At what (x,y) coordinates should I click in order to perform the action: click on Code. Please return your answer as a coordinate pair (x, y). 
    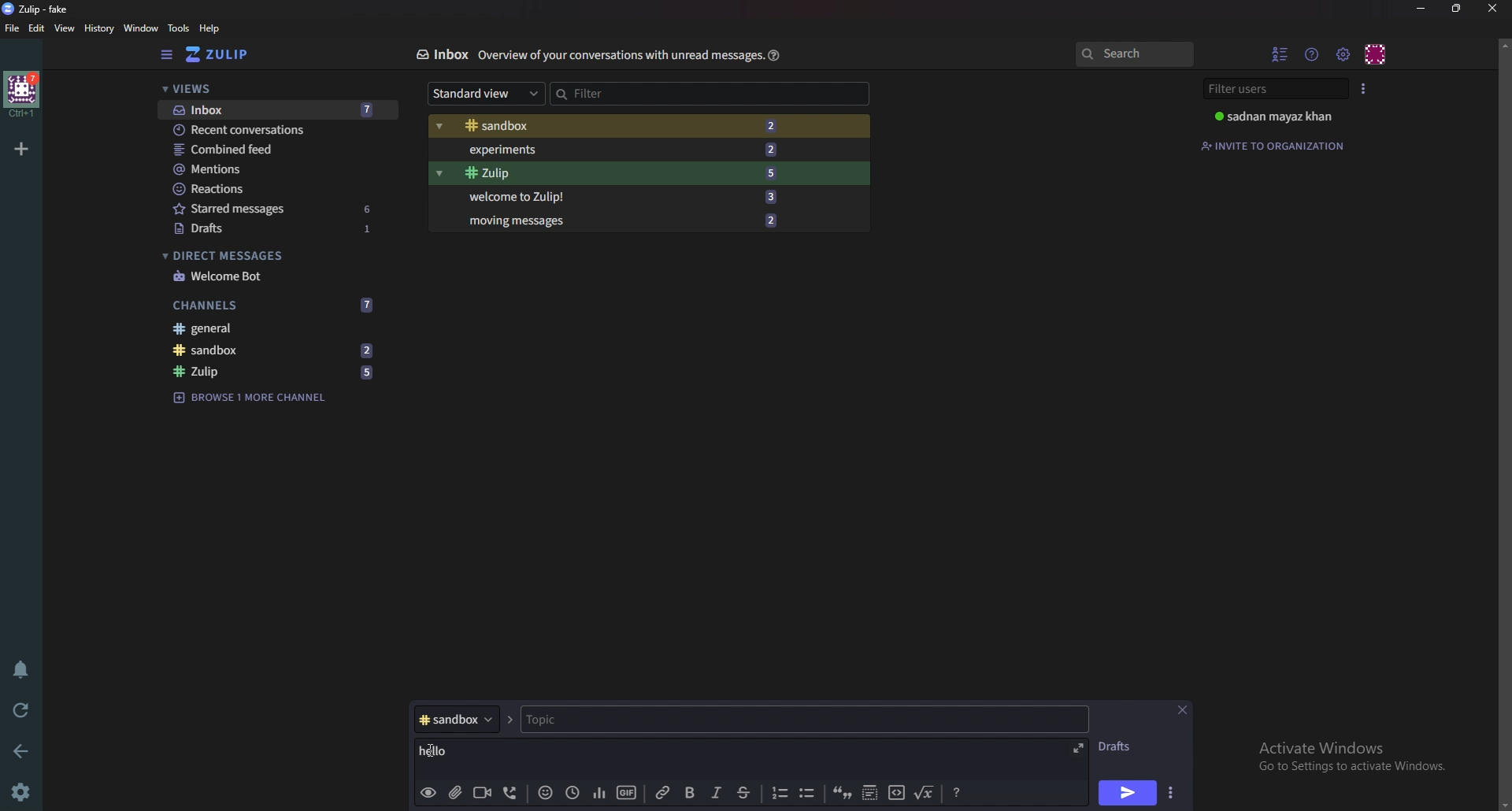
    Looking at the image, I should click on (896, 793).